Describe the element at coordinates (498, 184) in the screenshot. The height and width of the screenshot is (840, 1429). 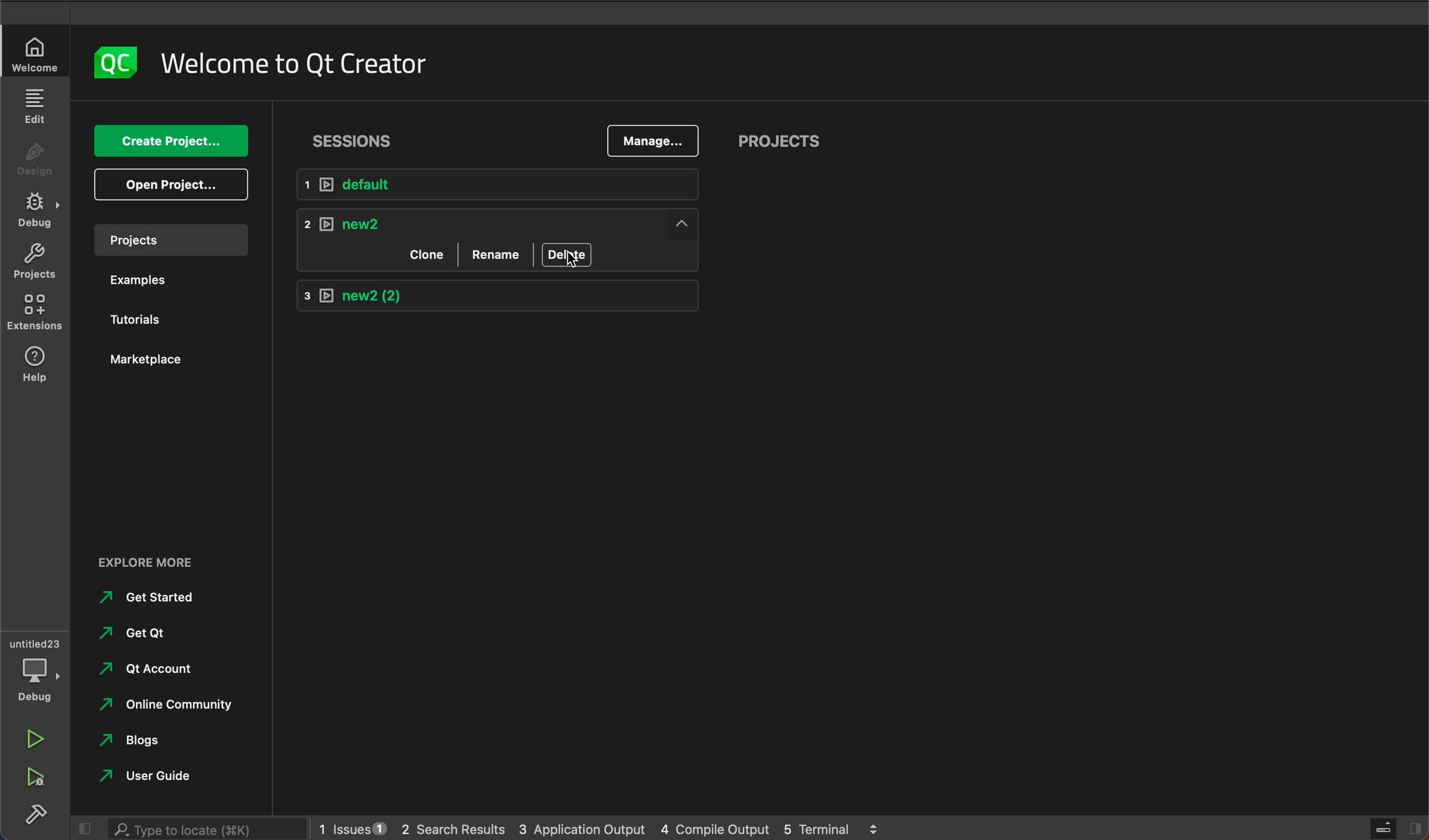
I see `default` at that location.